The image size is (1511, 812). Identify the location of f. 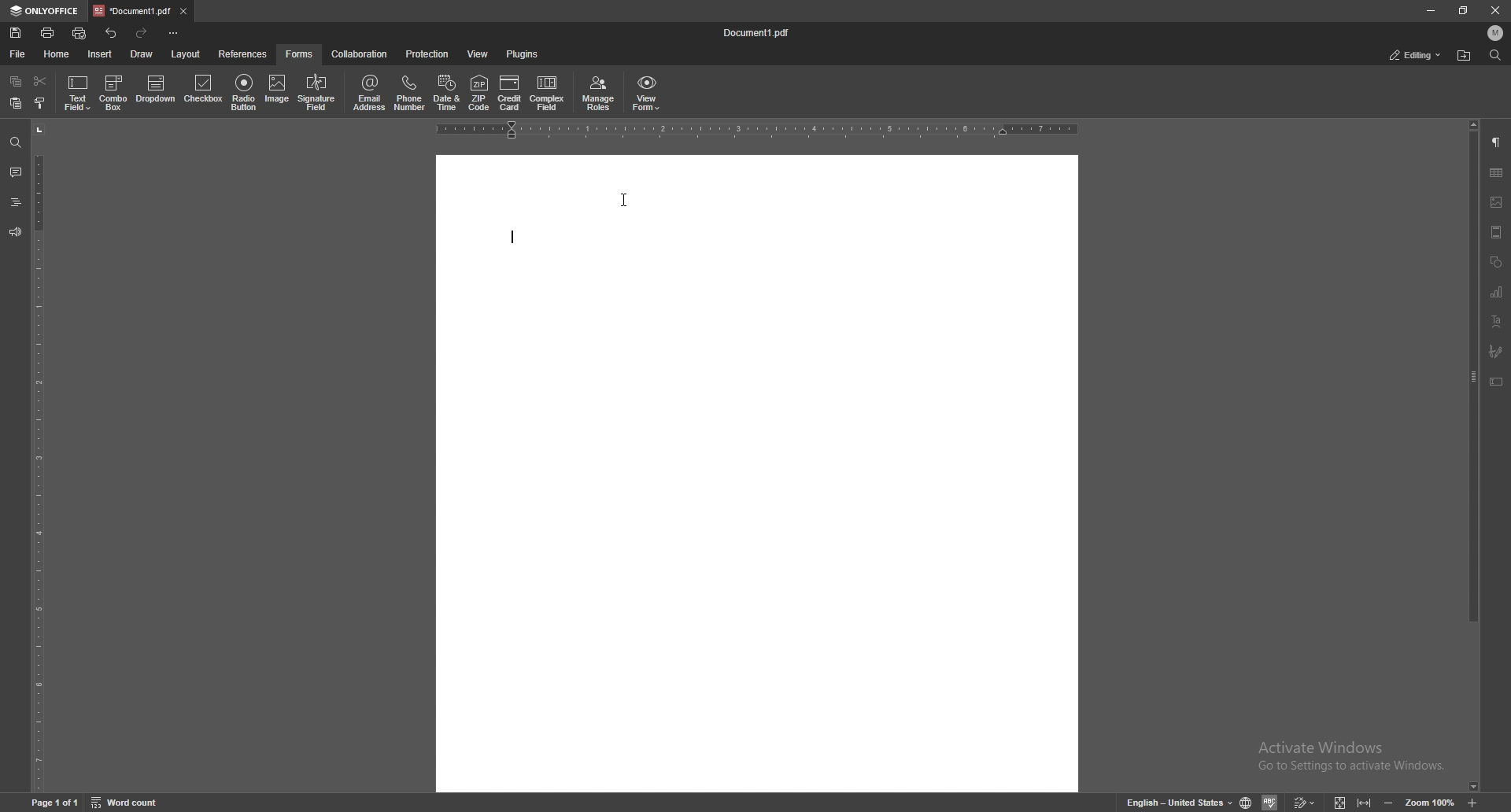
(300, 54).